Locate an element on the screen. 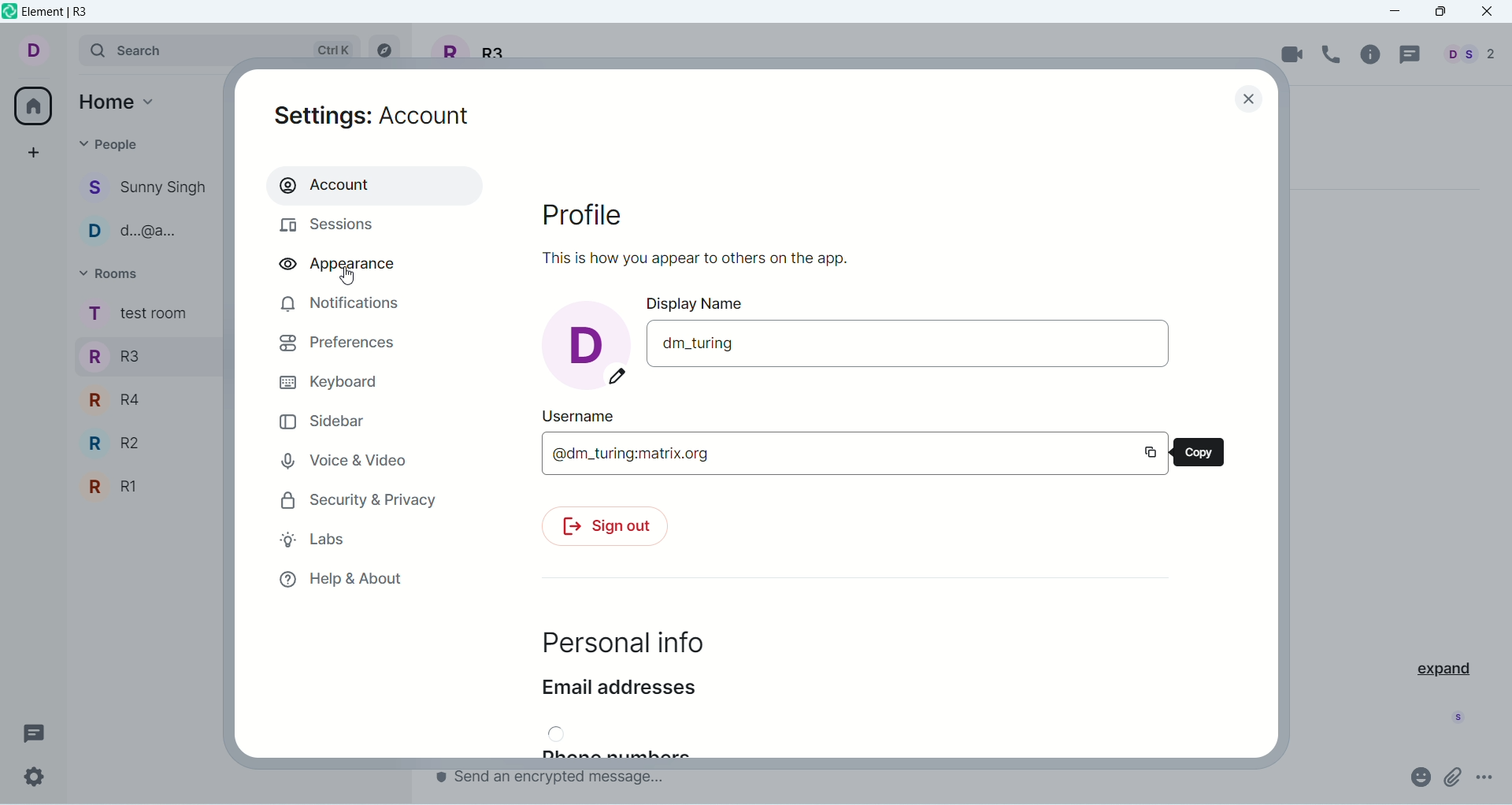 Image resolution: width=1512 pixels, height=805 pixels. attachment is located at coordinates (1454, 777).